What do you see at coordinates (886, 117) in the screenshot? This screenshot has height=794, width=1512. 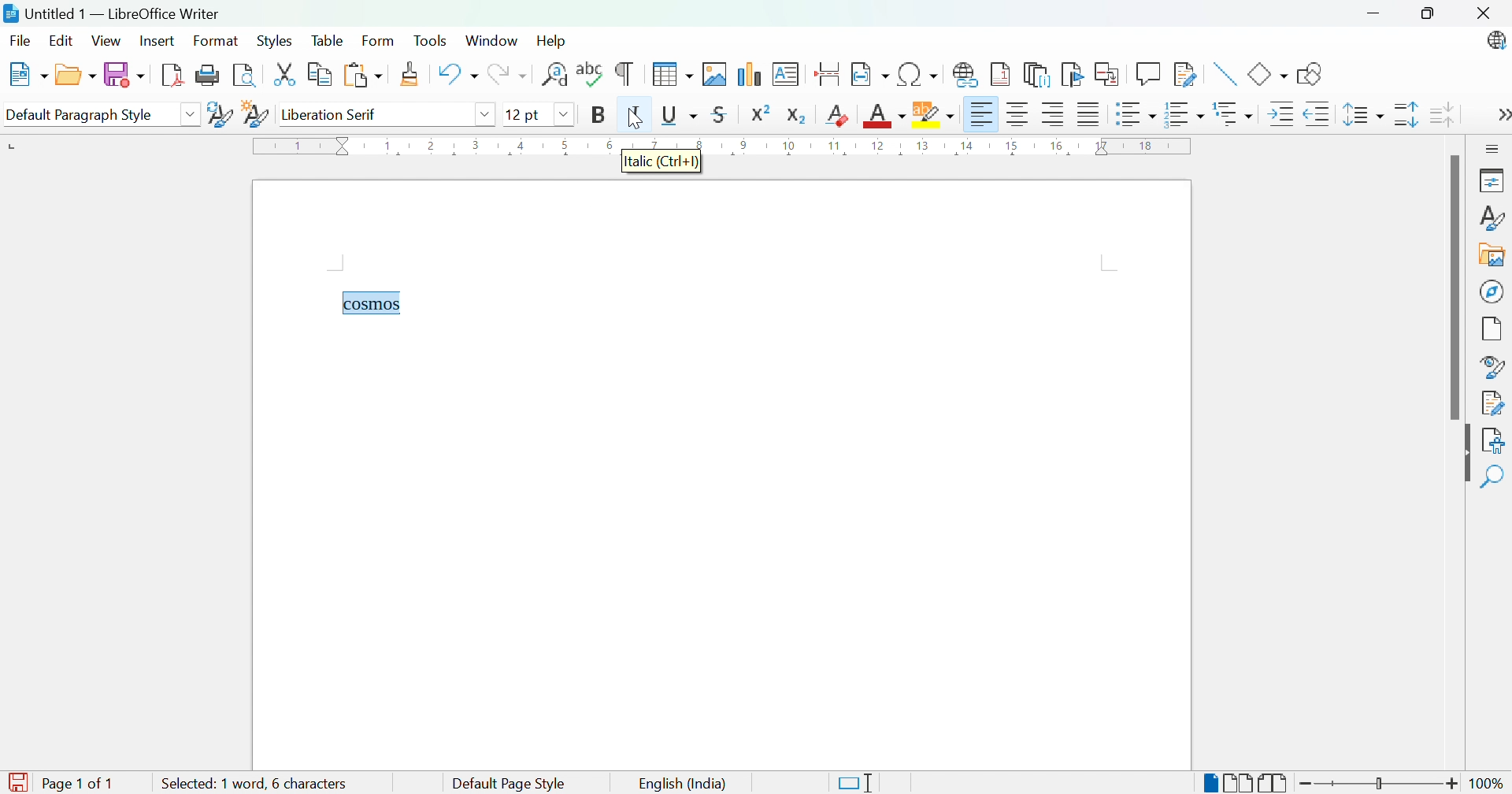 I see `Font color` at bounding box center [886, 117].